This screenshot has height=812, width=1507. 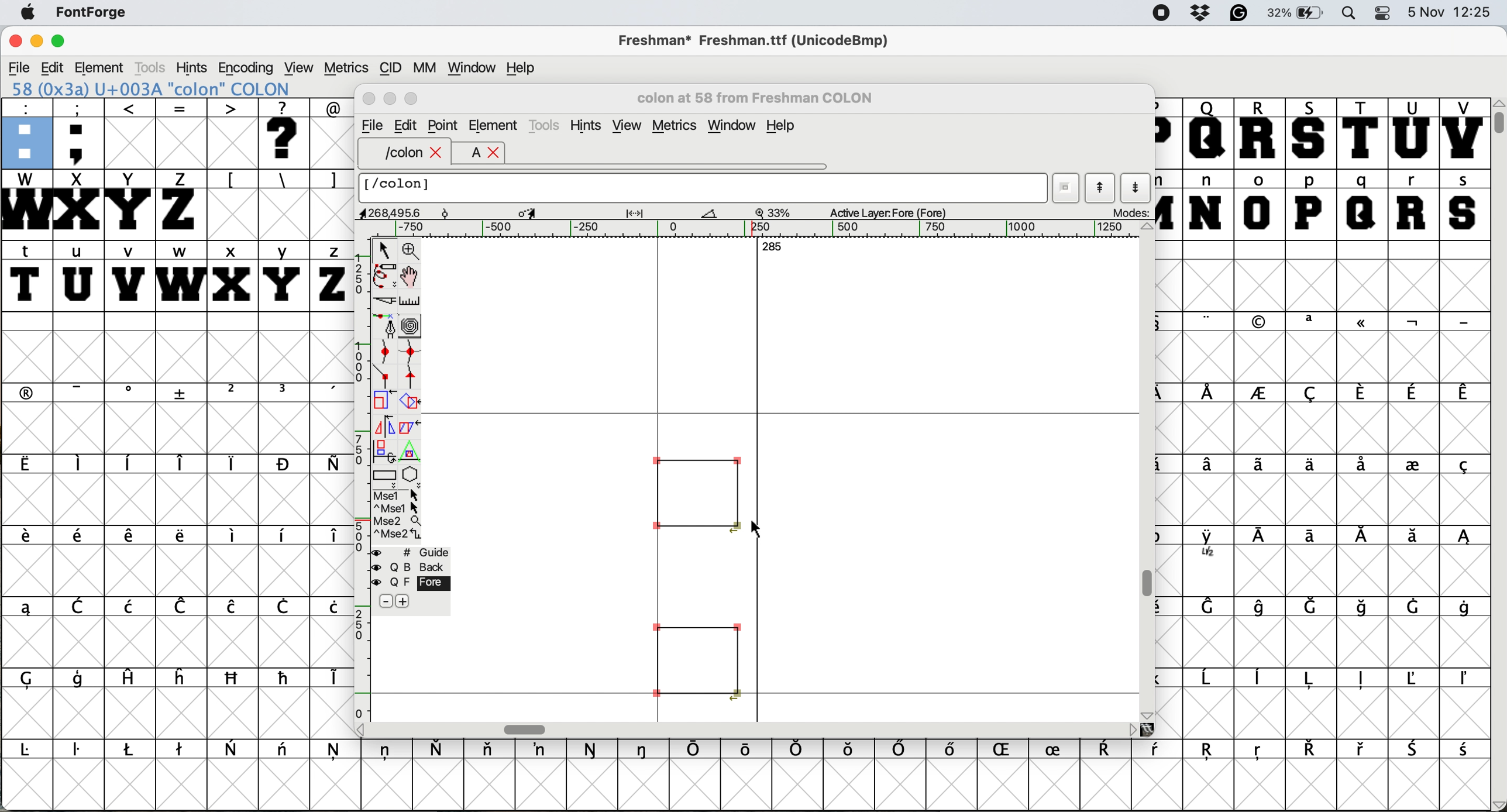 I want to click on symbol, so click(x=1212, y=608).